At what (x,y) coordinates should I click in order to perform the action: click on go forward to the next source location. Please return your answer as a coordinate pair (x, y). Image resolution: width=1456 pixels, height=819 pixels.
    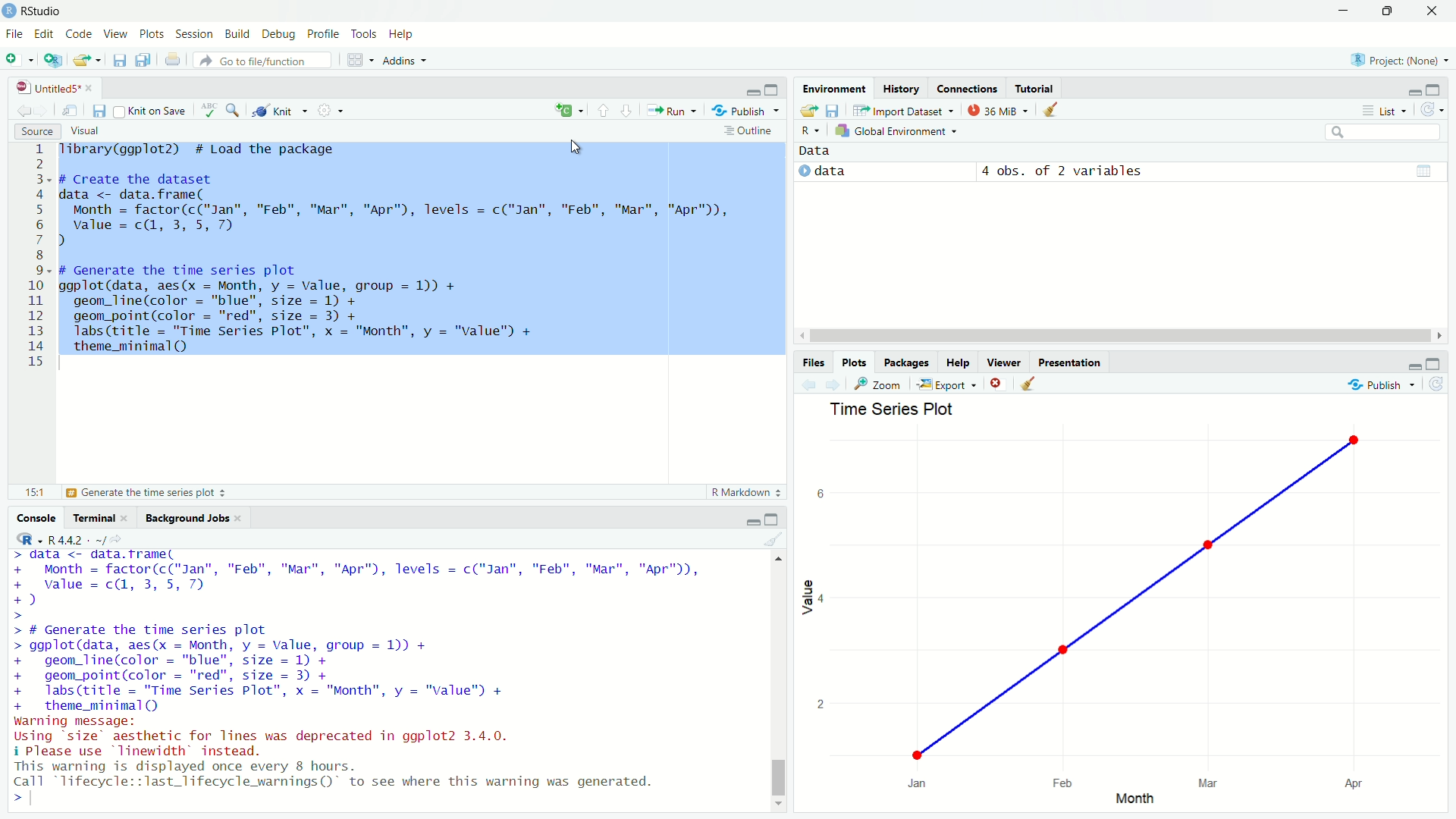
    Looking at the image, I should click on (47, 111).